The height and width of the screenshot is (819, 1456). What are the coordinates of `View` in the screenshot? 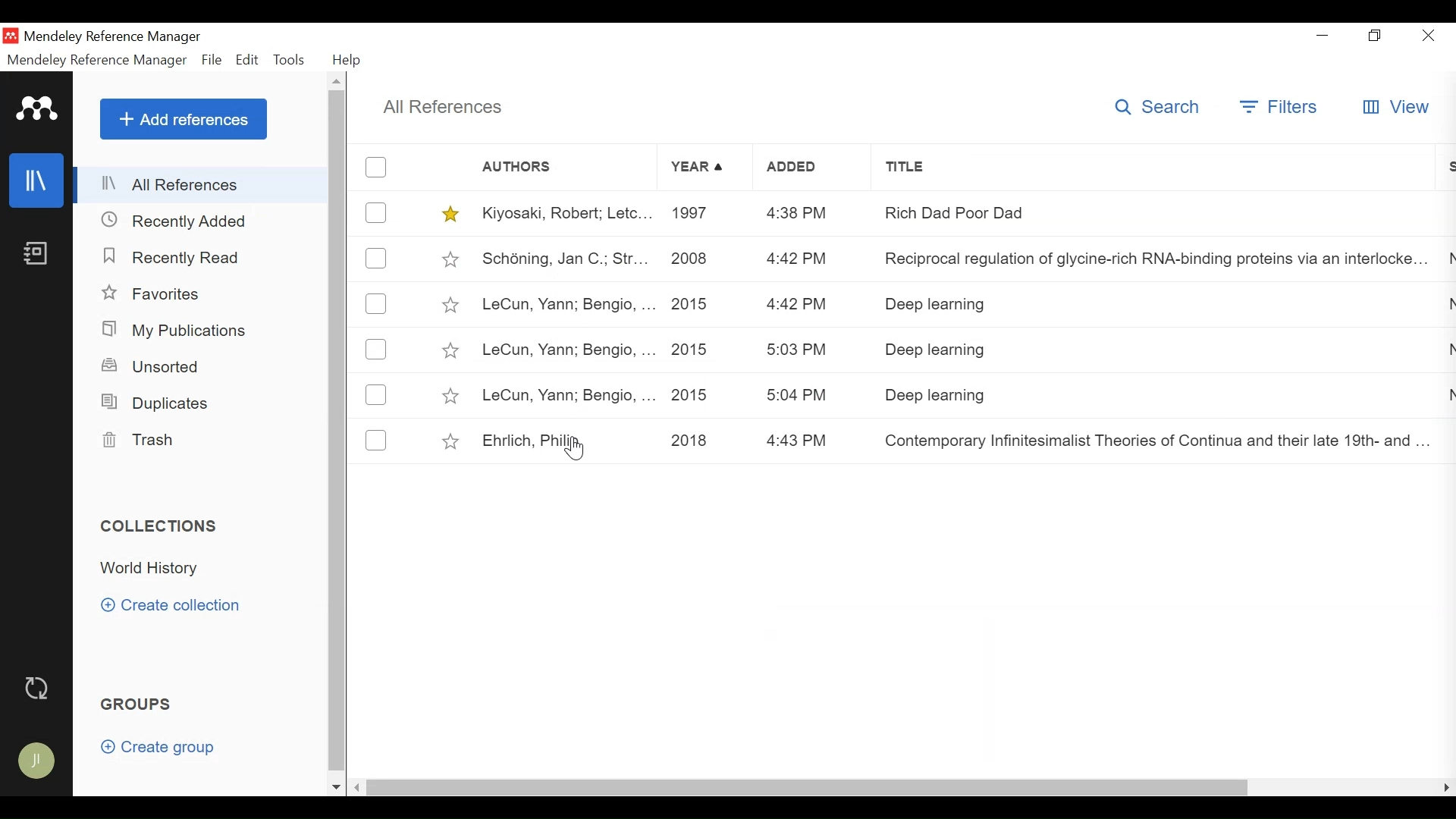 It's located at (1395, 108).